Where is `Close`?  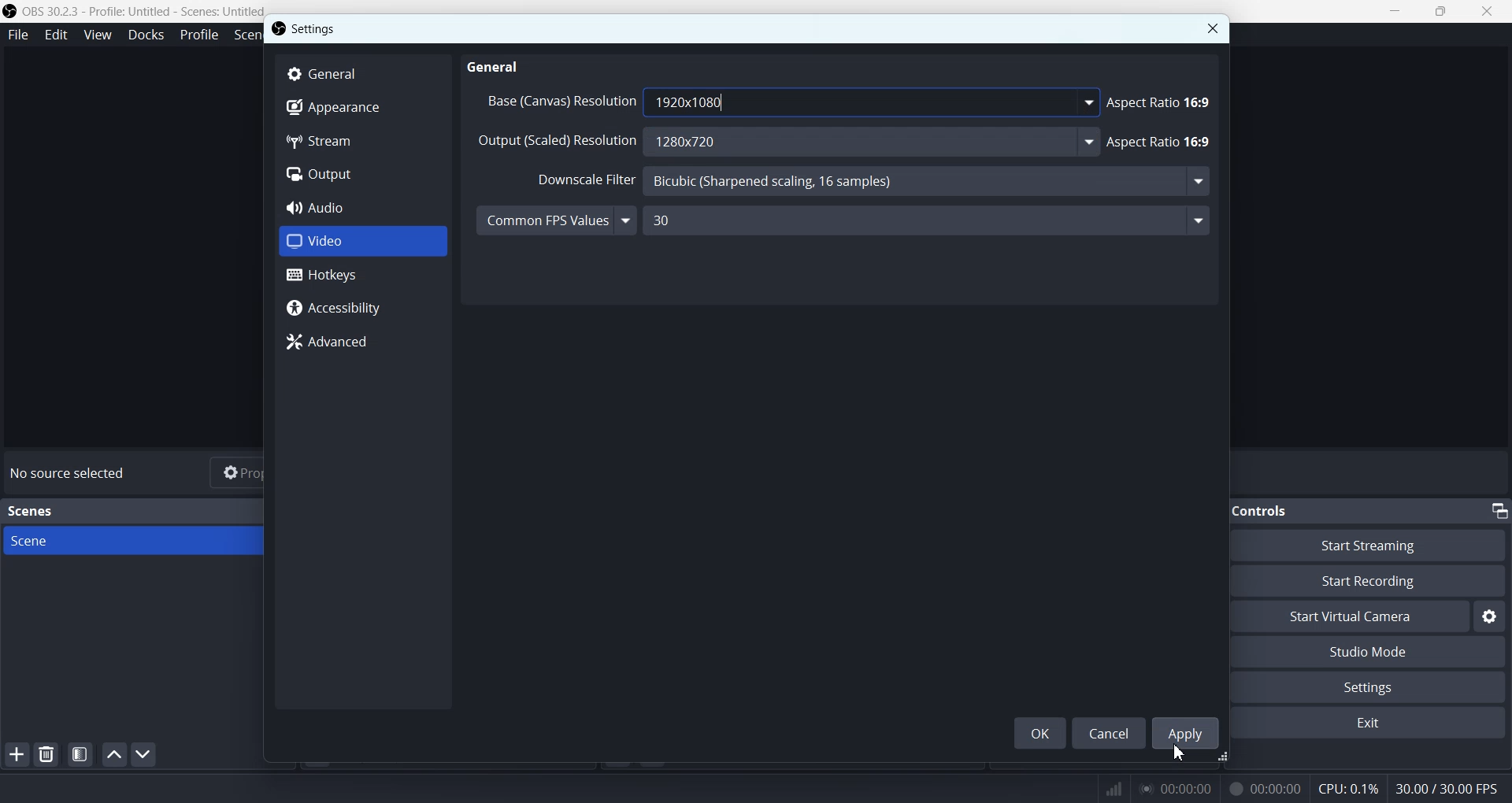
Close is located at coordinates (1212, 28).